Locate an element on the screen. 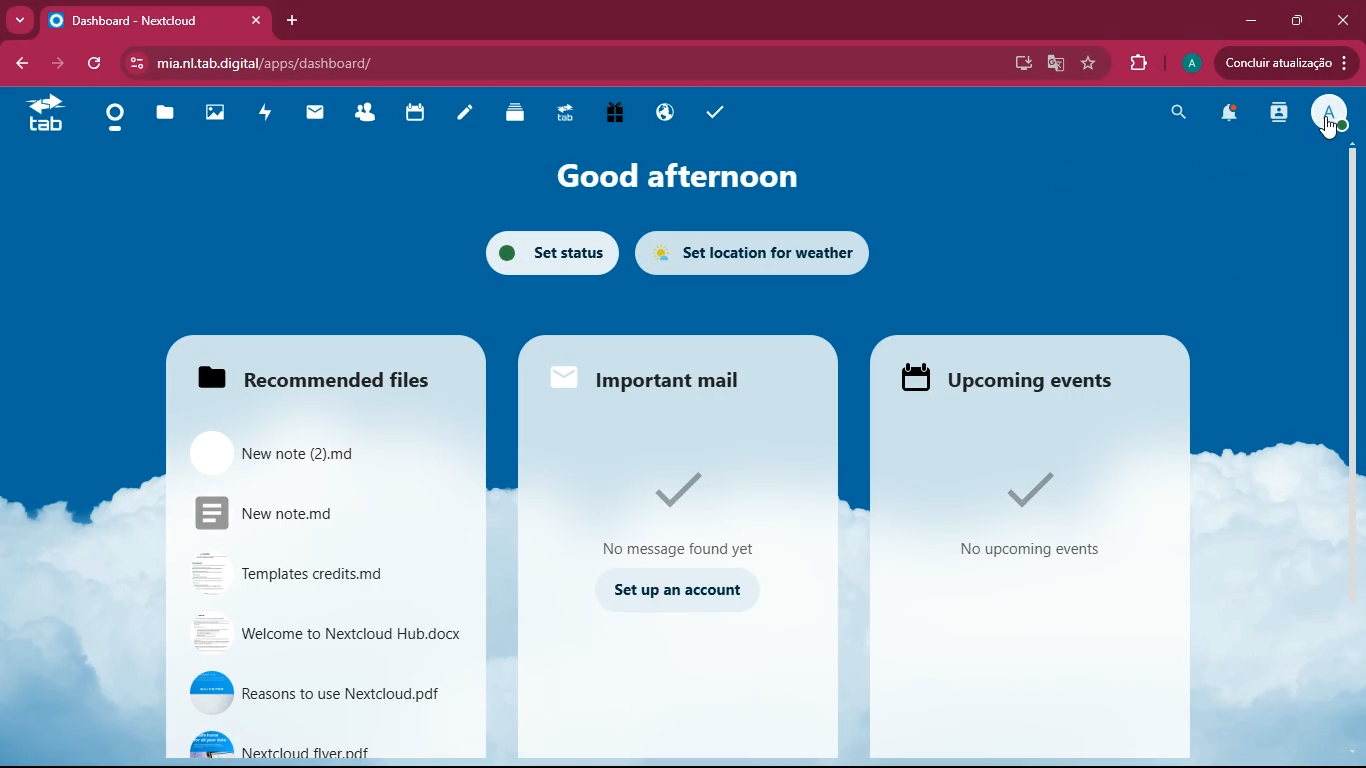  extensions is located at coordinates (1140, 60).